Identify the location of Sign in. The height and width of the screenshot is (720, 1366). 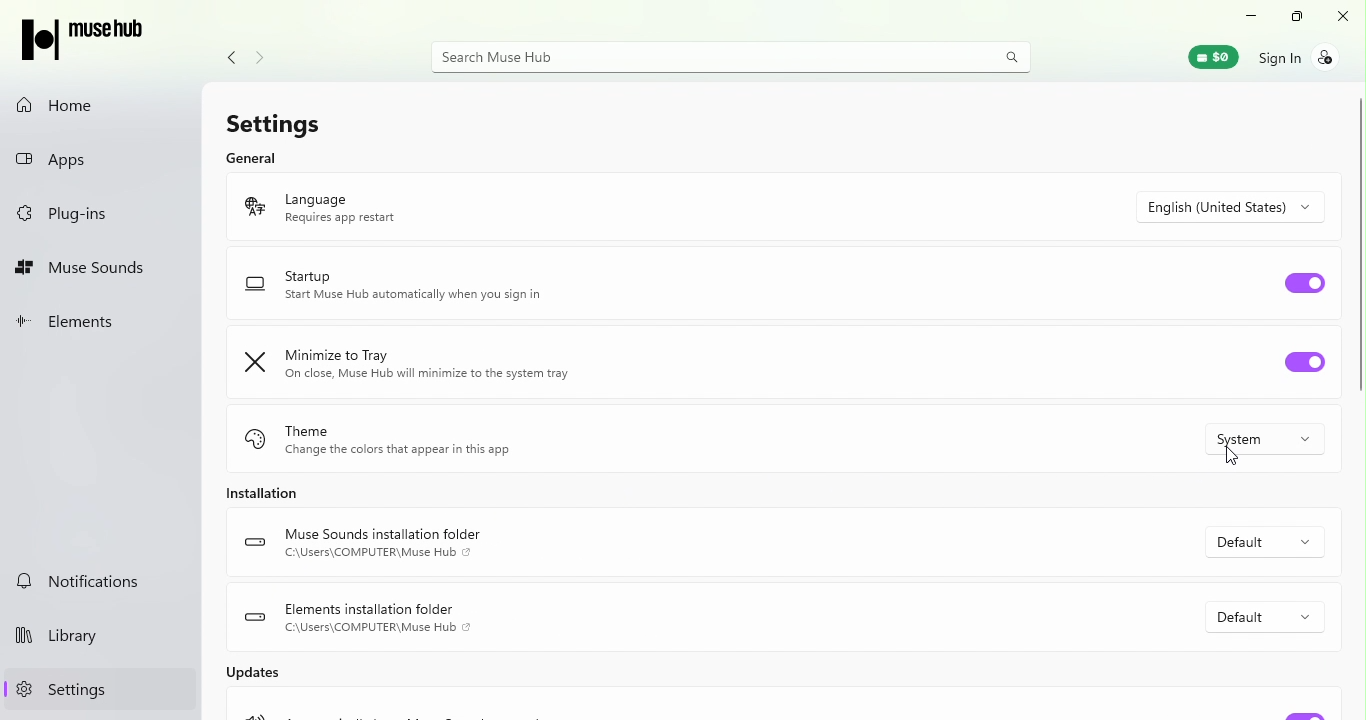
(1309, 61).